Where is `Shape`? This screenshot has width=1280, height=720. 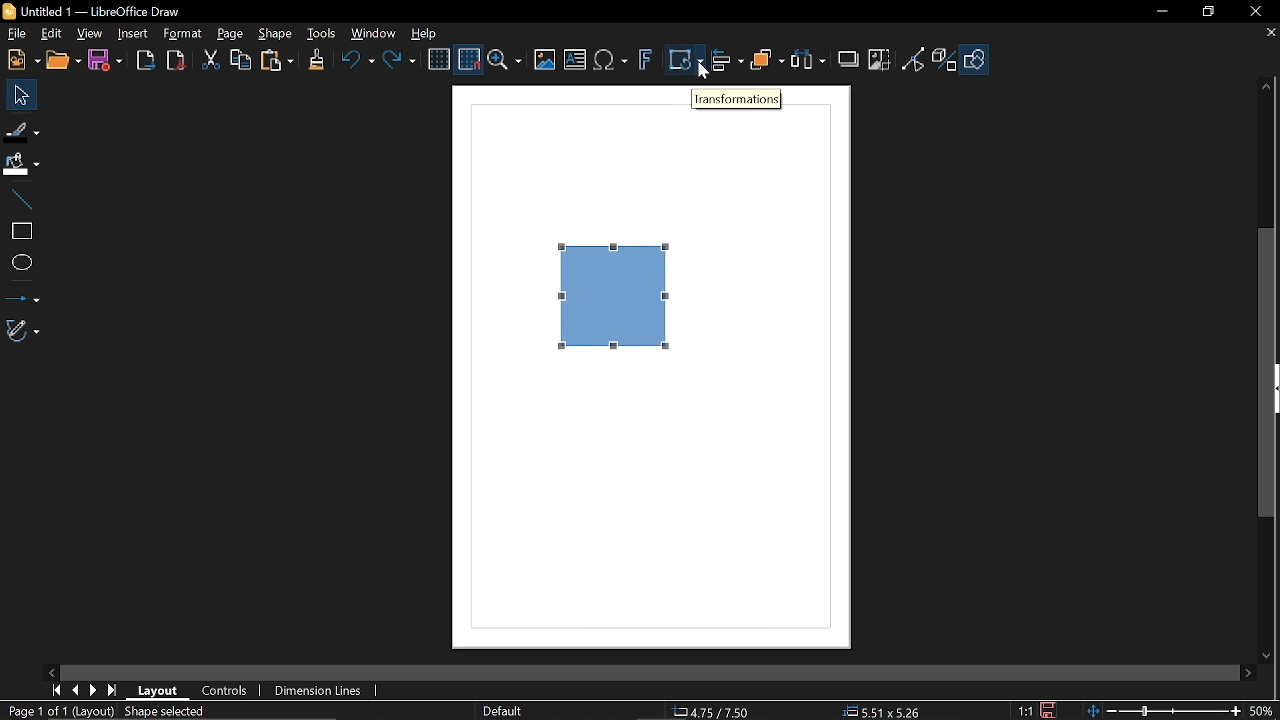
Shape is located at coordinates (274, 34).